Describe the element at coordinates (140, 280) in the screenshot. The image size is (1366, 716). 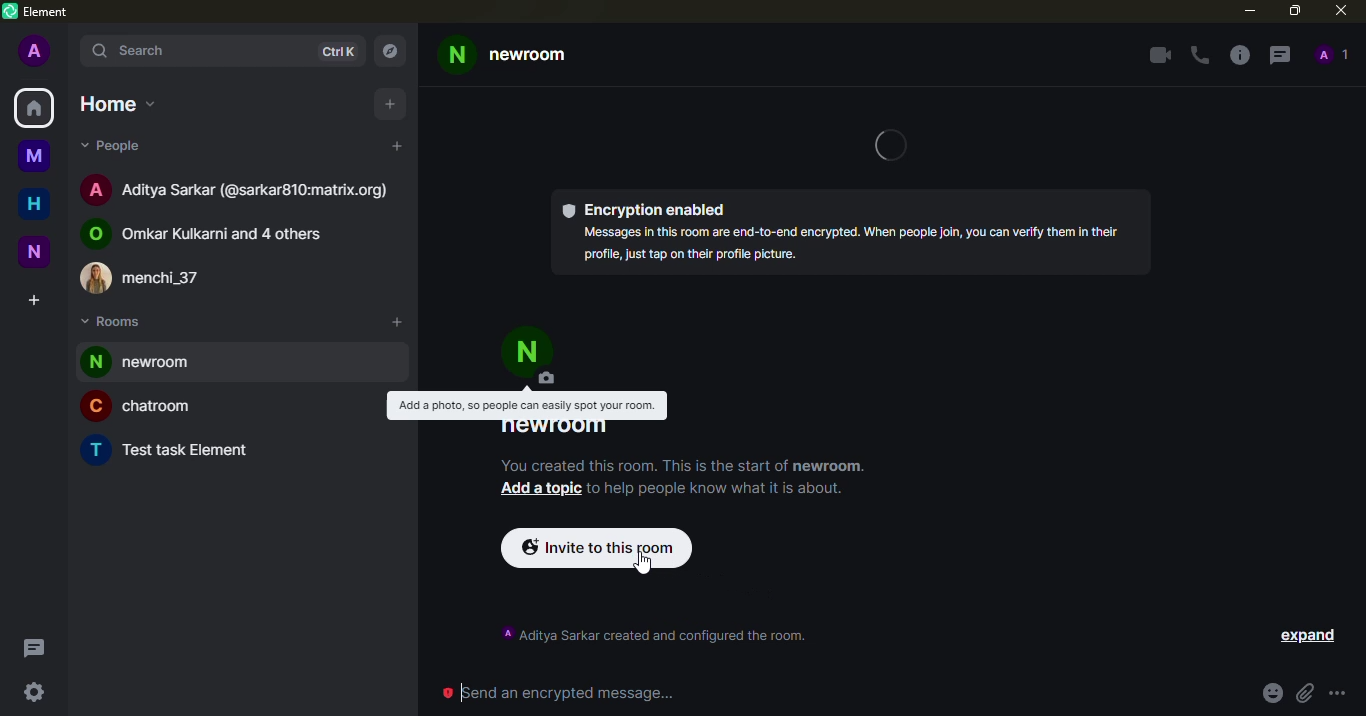
I see `menchi_37` at that location.